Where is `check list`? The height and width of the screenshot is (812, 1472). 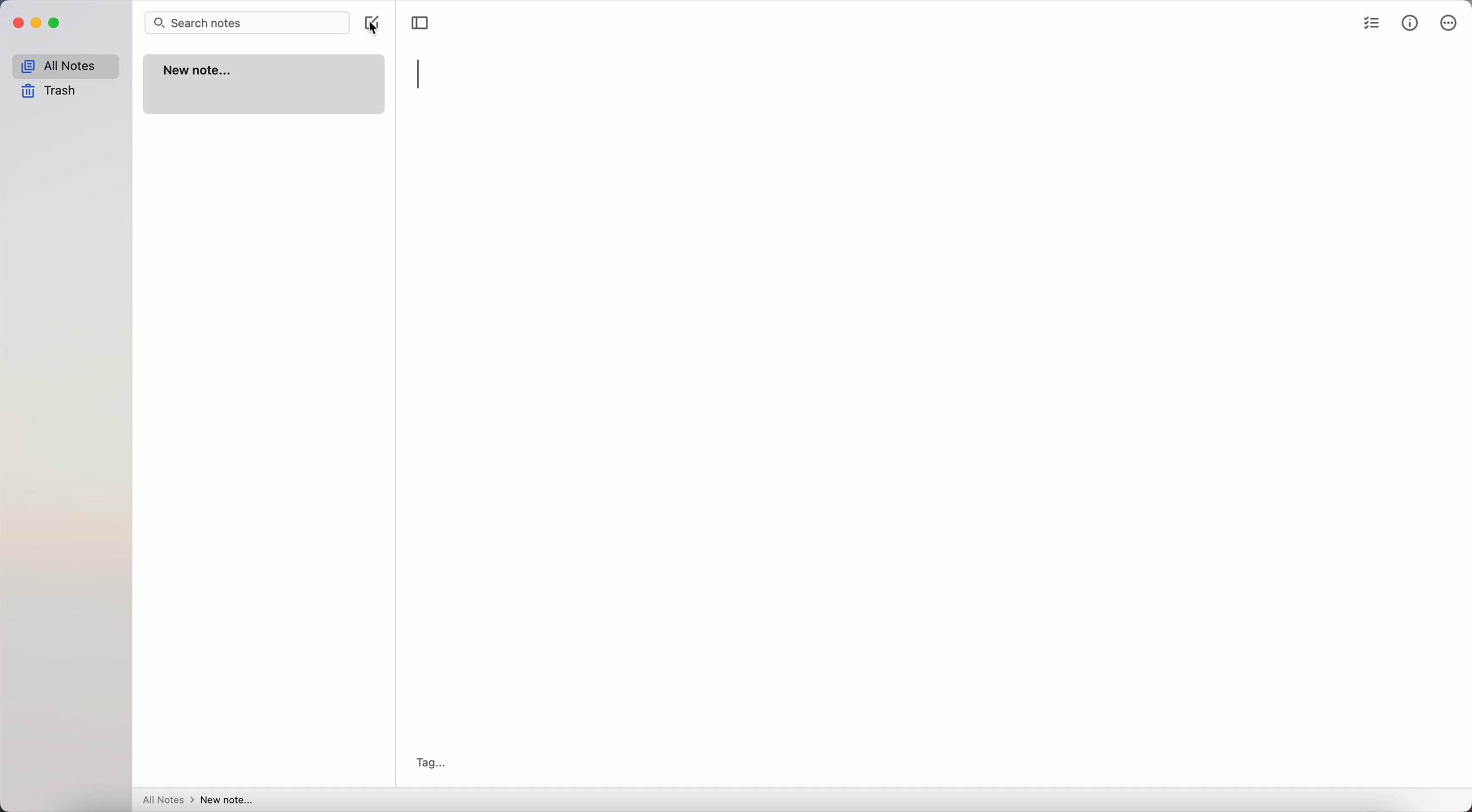 check list is located at coordinates (1370, 24).